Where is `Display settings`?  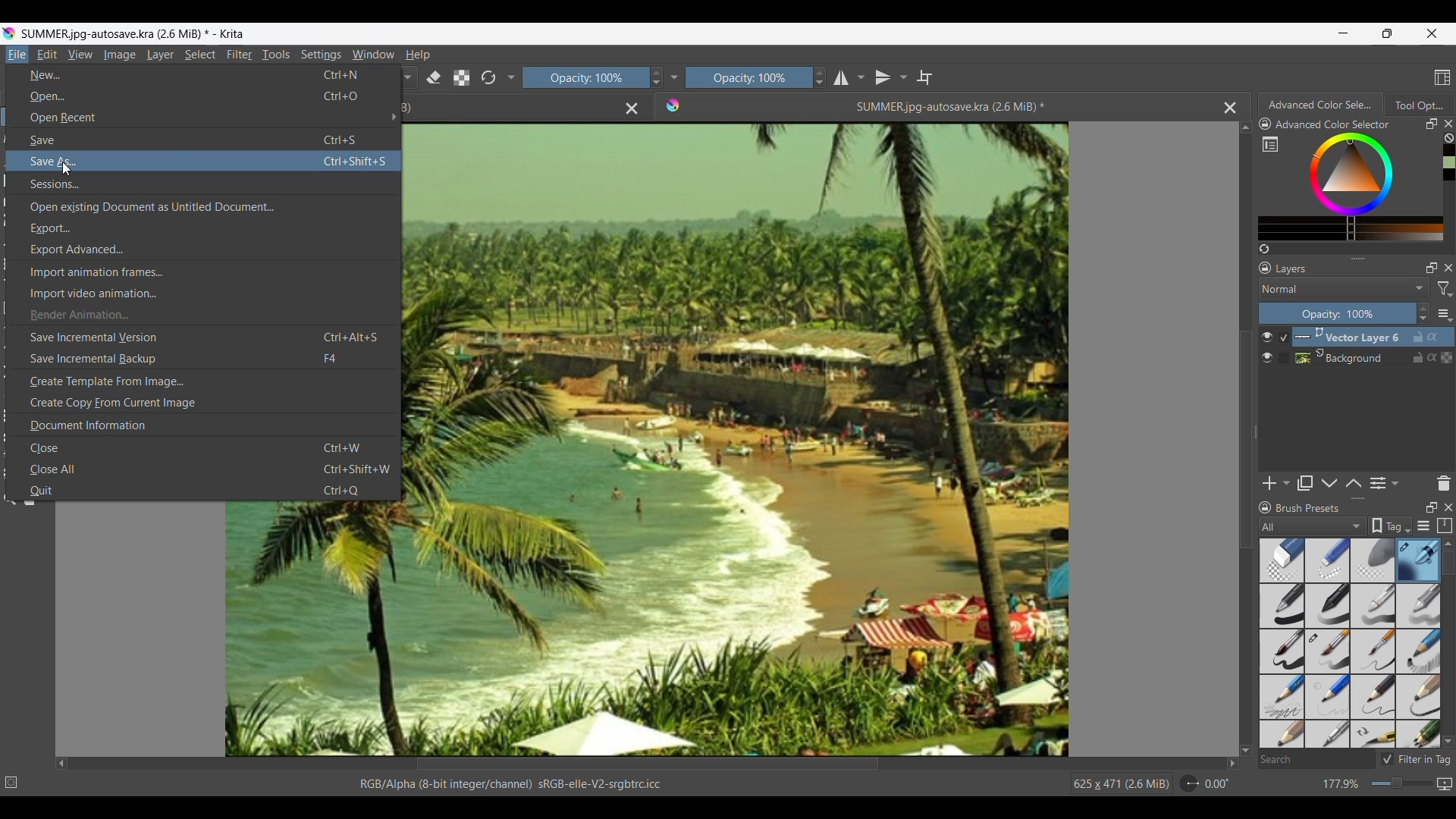 Display settings is located at coordinates (1423, 526).